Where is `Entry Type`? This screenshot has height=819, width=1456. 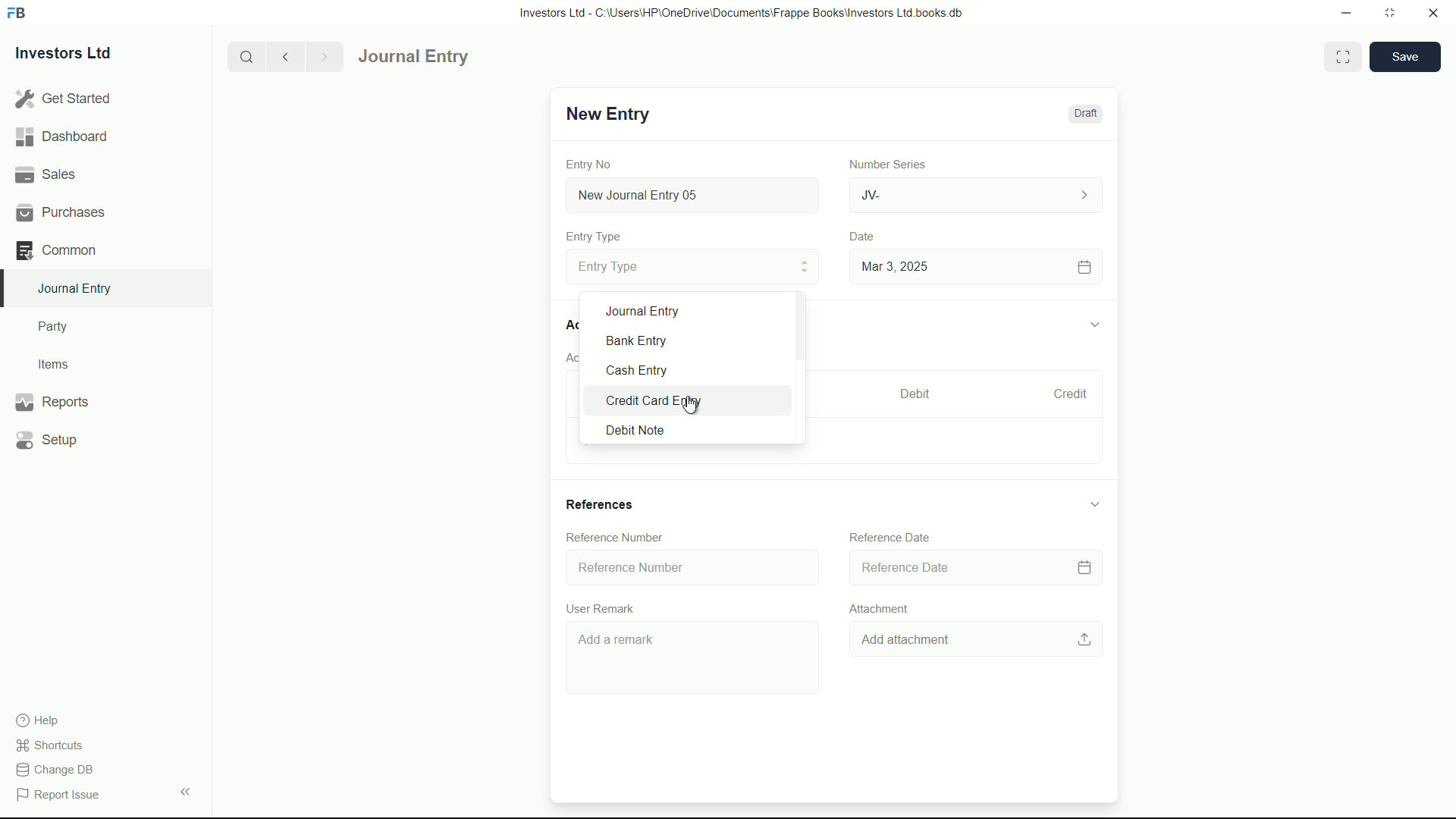 Entry Type is located at coordinates (594, 237).